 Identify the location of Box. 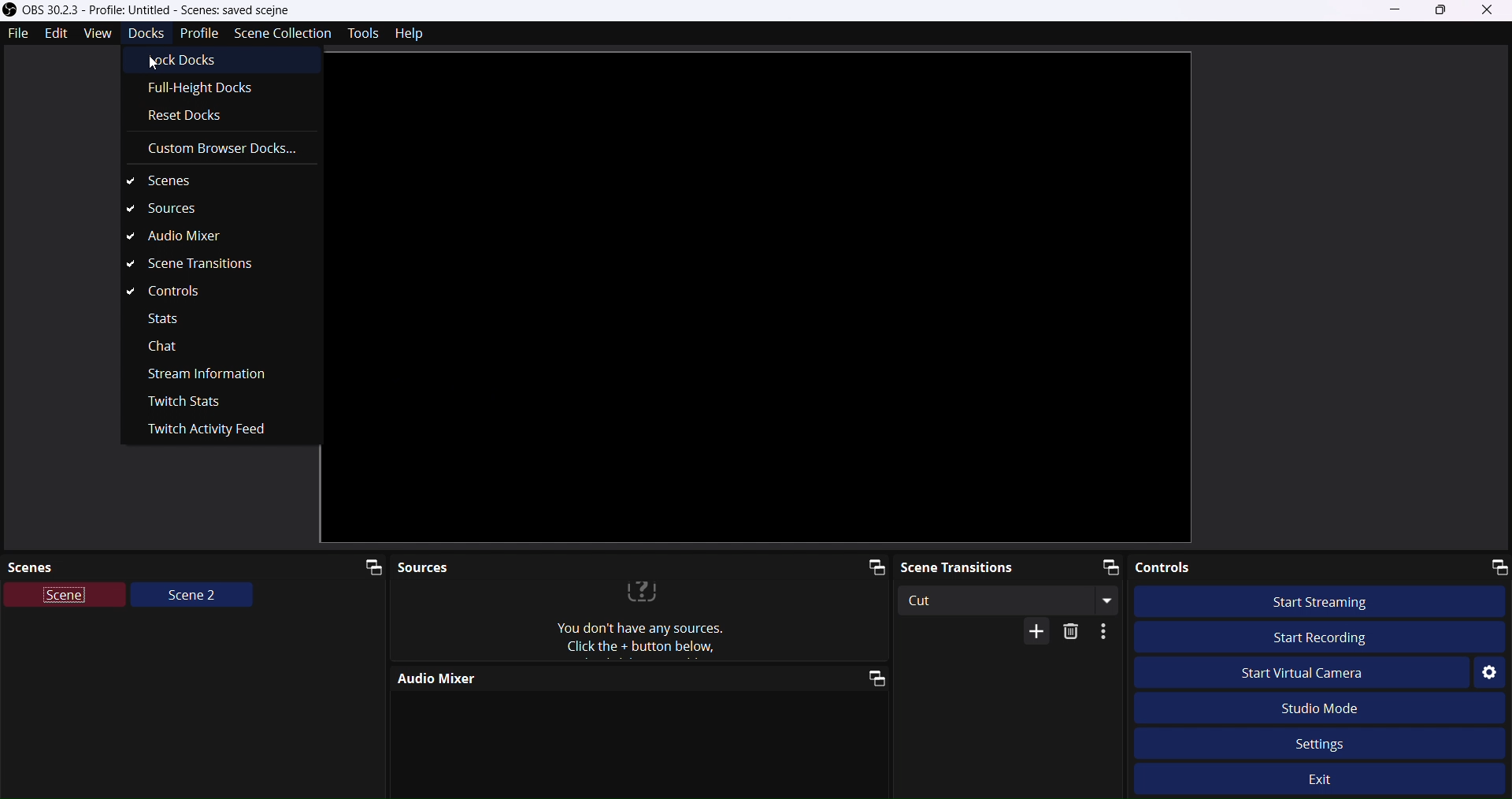
(1442, 10).